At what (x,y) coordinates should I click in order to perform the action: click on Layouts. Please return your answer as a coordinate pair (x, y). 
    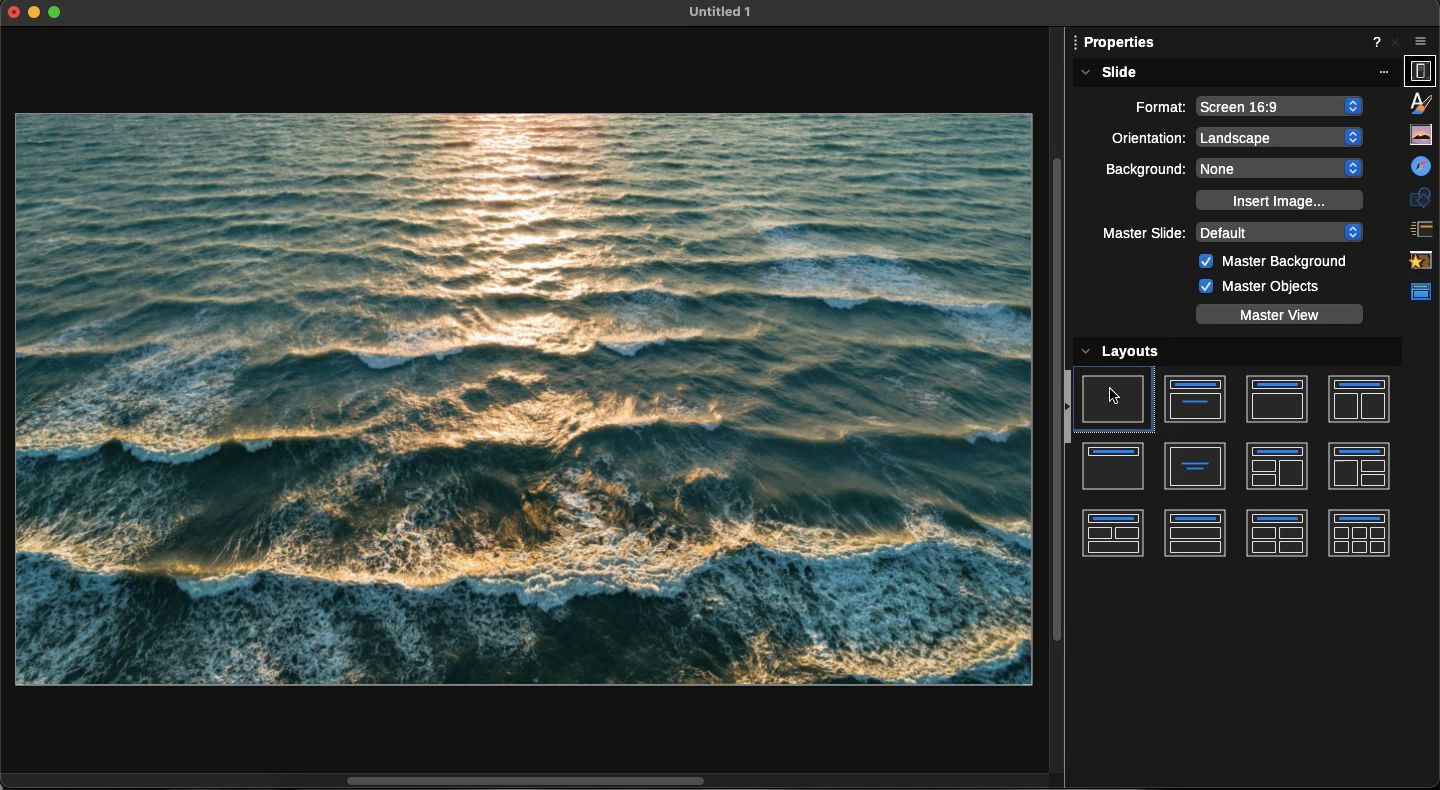
    Looking at the image, I should click on (1140, 352).